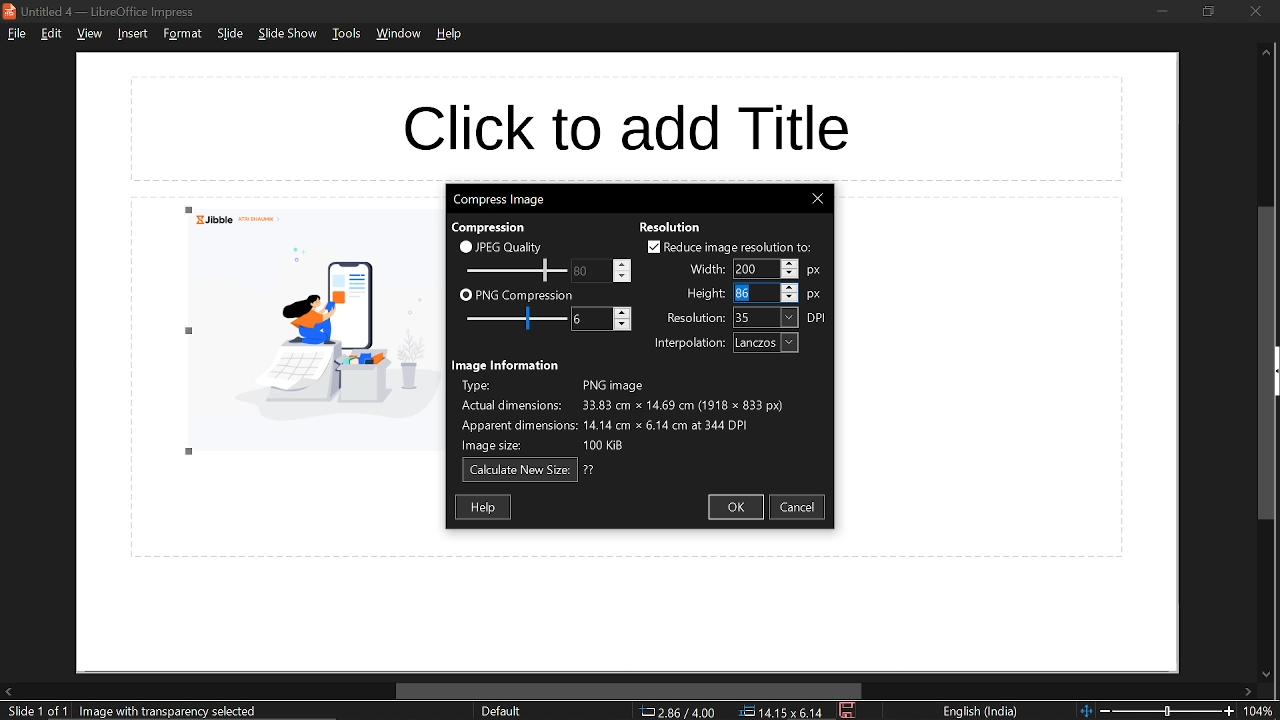 The image size is (1280, 720). What do you see at coordinates (789, 286) in the screenshot?
I see `increase height` at bounding box center [789, 286].